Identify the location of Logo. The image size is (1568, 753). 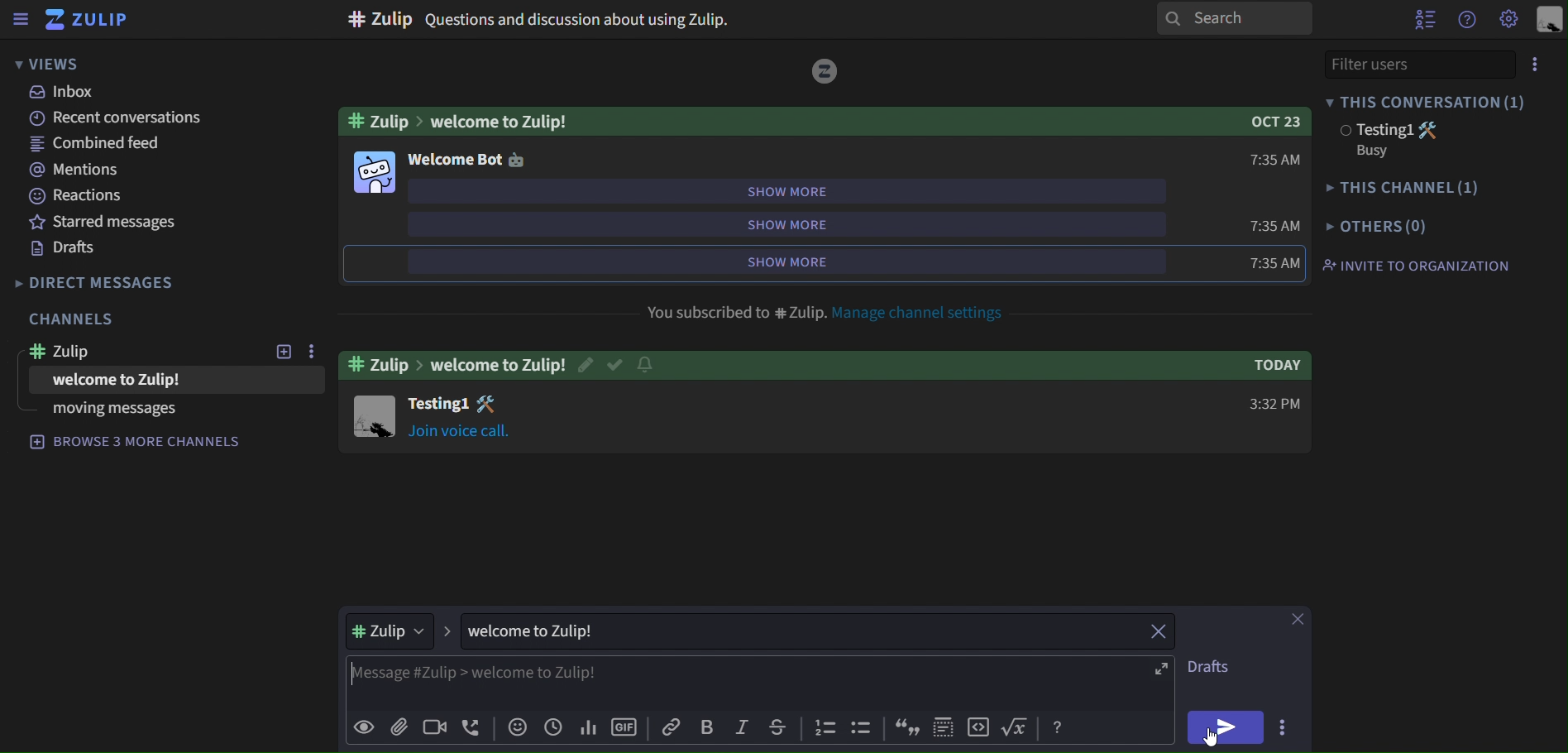
(825, 71).